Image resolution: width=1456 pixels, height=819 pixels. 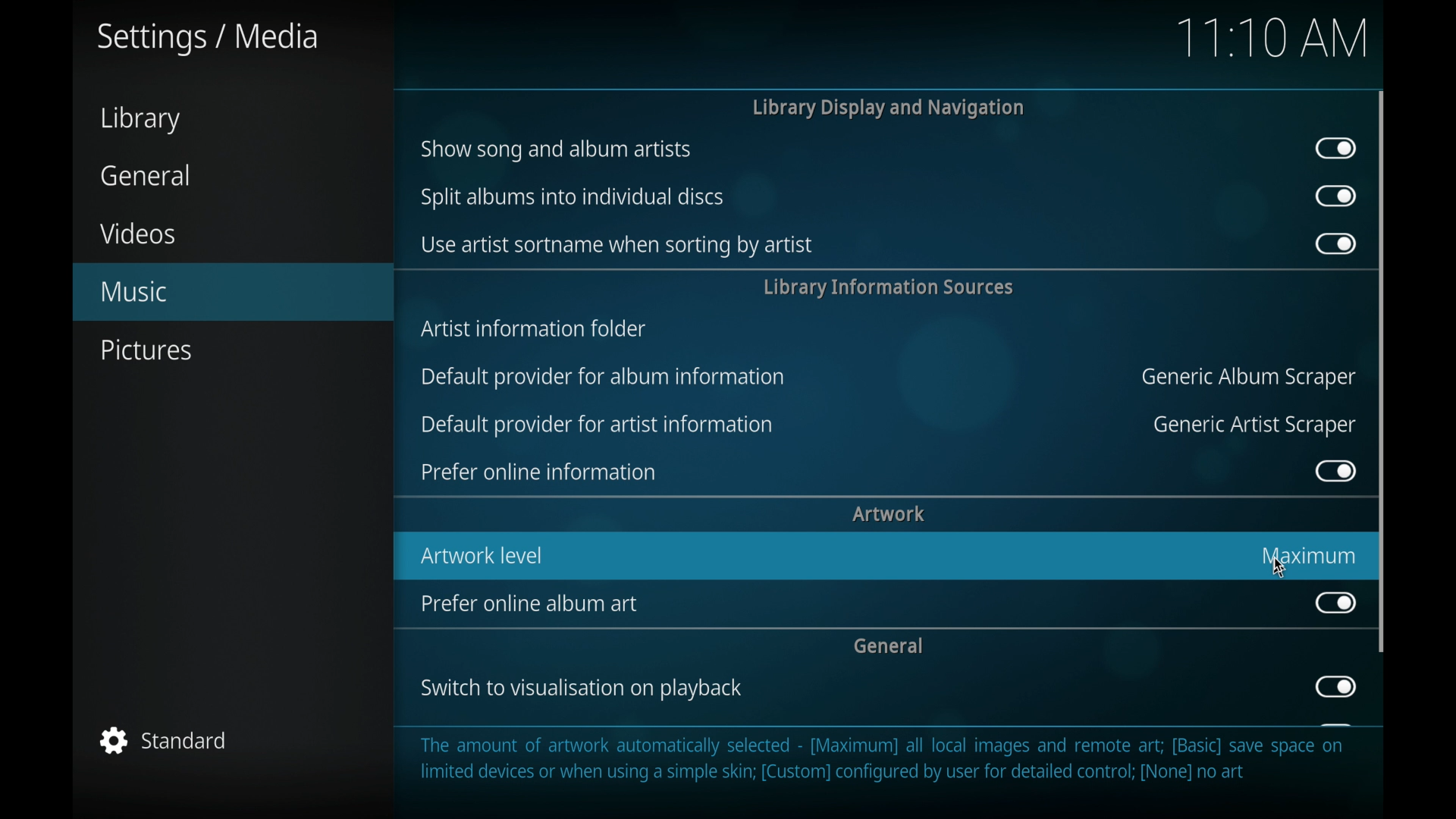 What do you see at coordinates (1335, 470) in the screenshot?
I see `toggle button` at bounding box center [1335, 470].